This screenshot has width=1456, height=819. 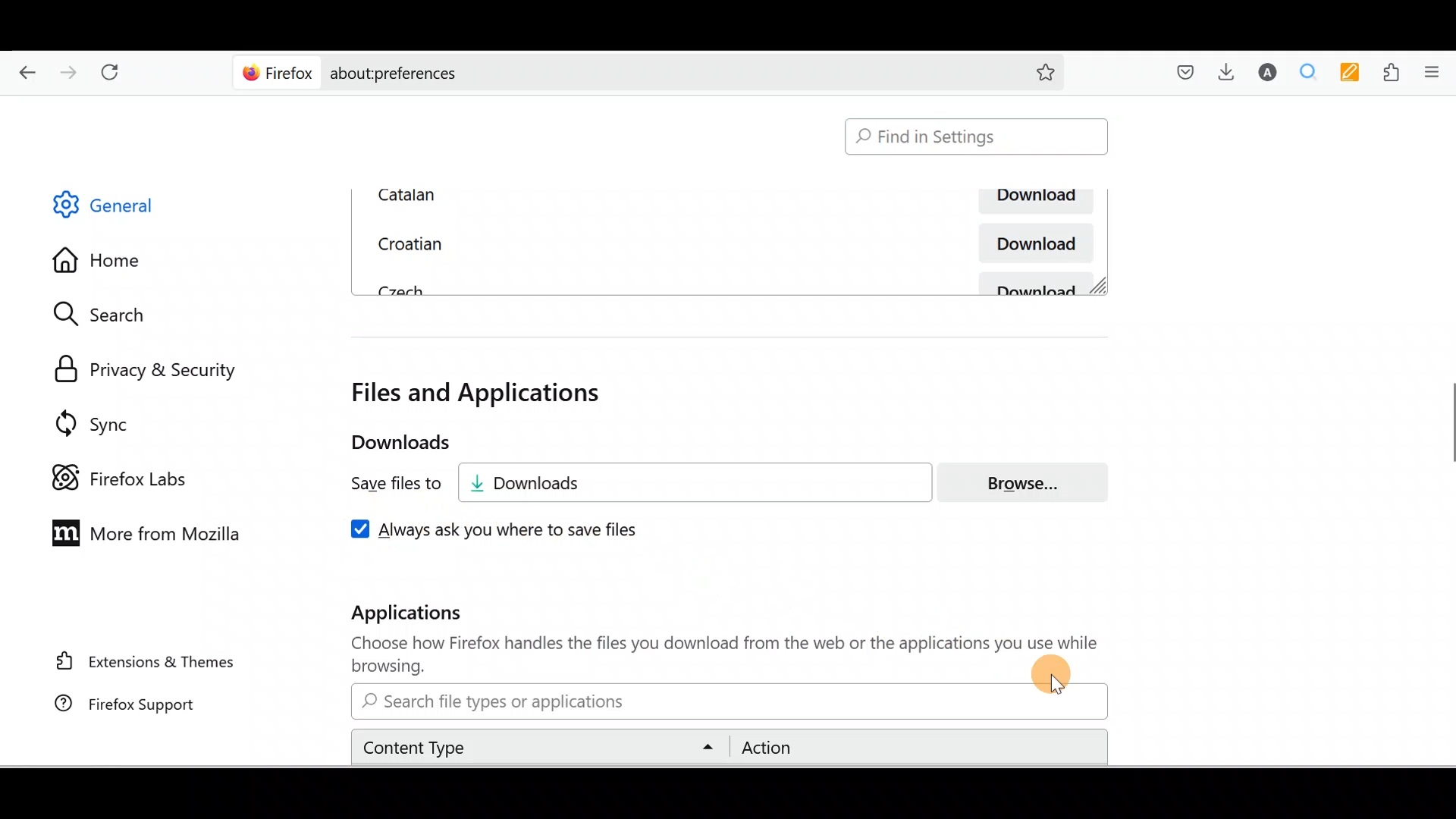 What do you see at coordinates (386, 443) in the screenshot?
I see `Downloads` at bounding box center [386, 443].